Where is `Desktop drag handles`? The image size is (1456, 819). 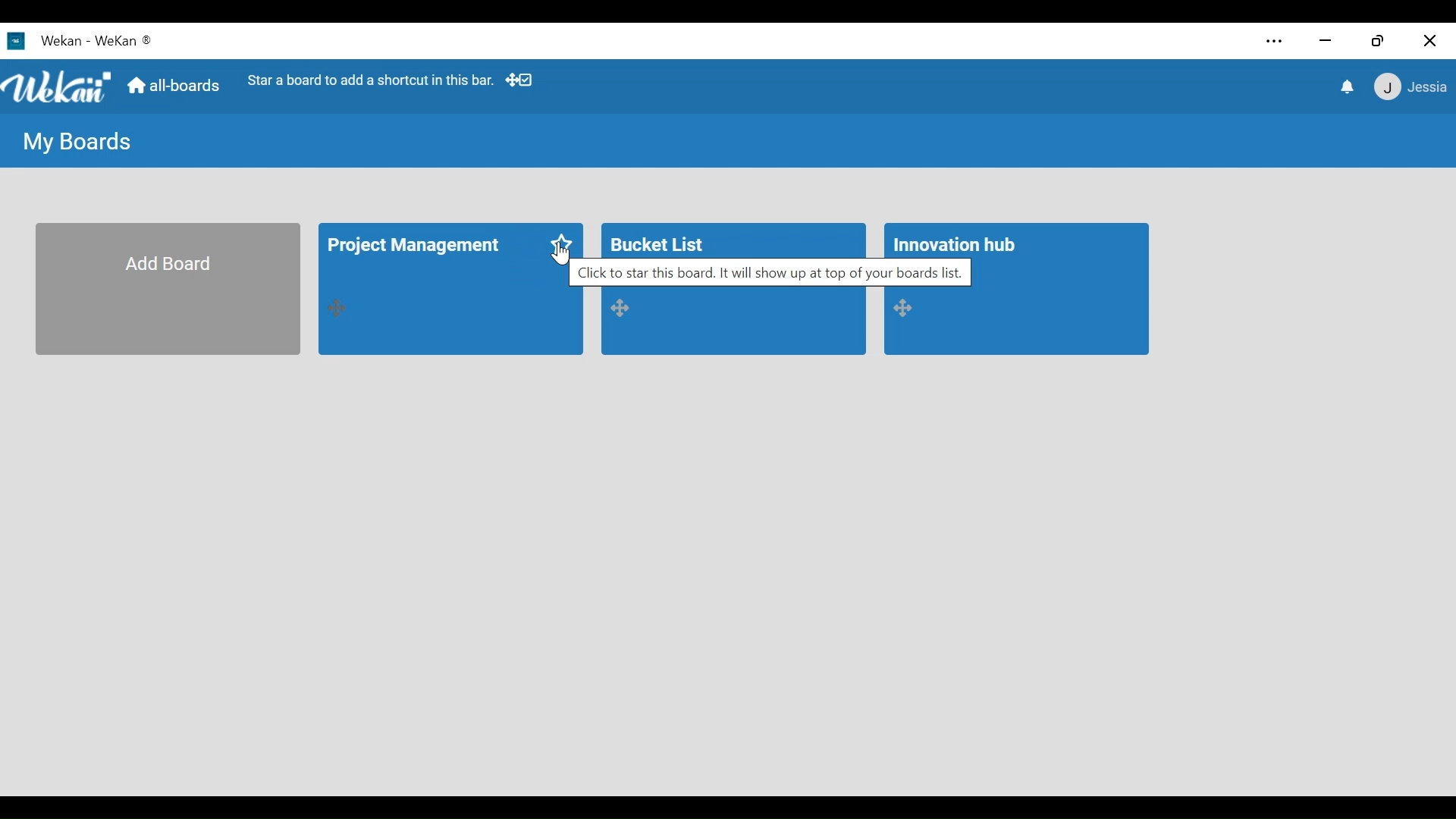 Desktop drag handles is located at coordinates (908, 309).